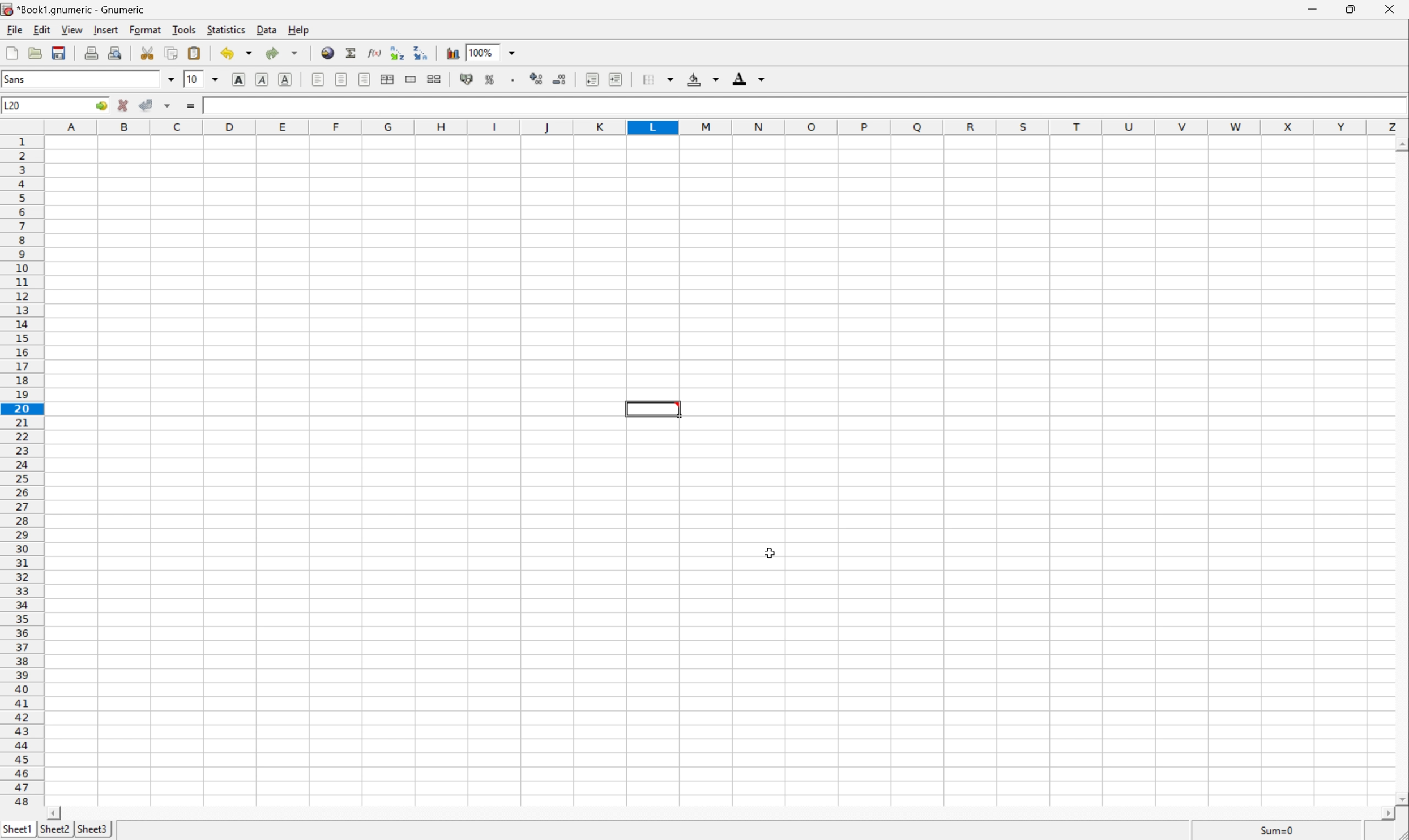 The width and height of the screenshot is (1409, 840). Describe the element at coordinates (481, 52) in the screenshot. I see `100%` at that location.